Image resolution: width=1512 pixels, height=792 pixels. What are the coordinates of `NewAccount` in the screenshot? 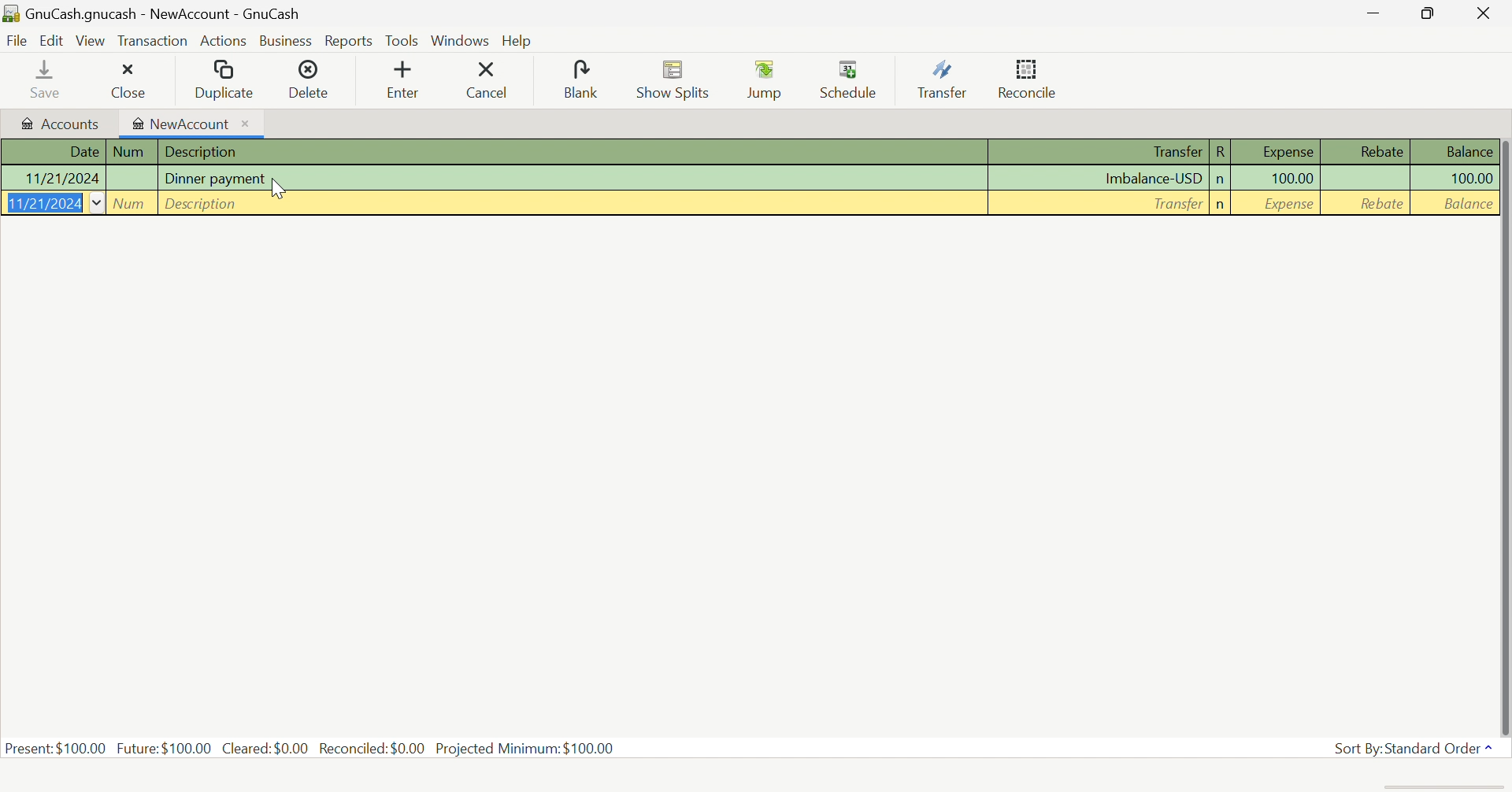 It's located at (183, 124).